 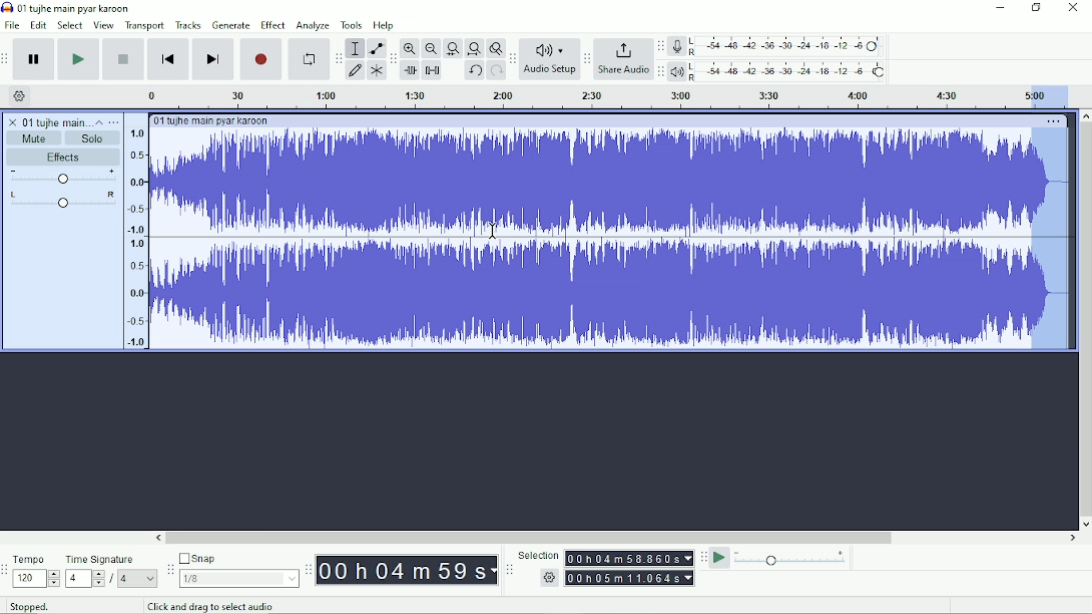 What do you see at coordinates (494, 48) in the screenshot?
I see `Zoom toggle` at bounding box center [494, 48].